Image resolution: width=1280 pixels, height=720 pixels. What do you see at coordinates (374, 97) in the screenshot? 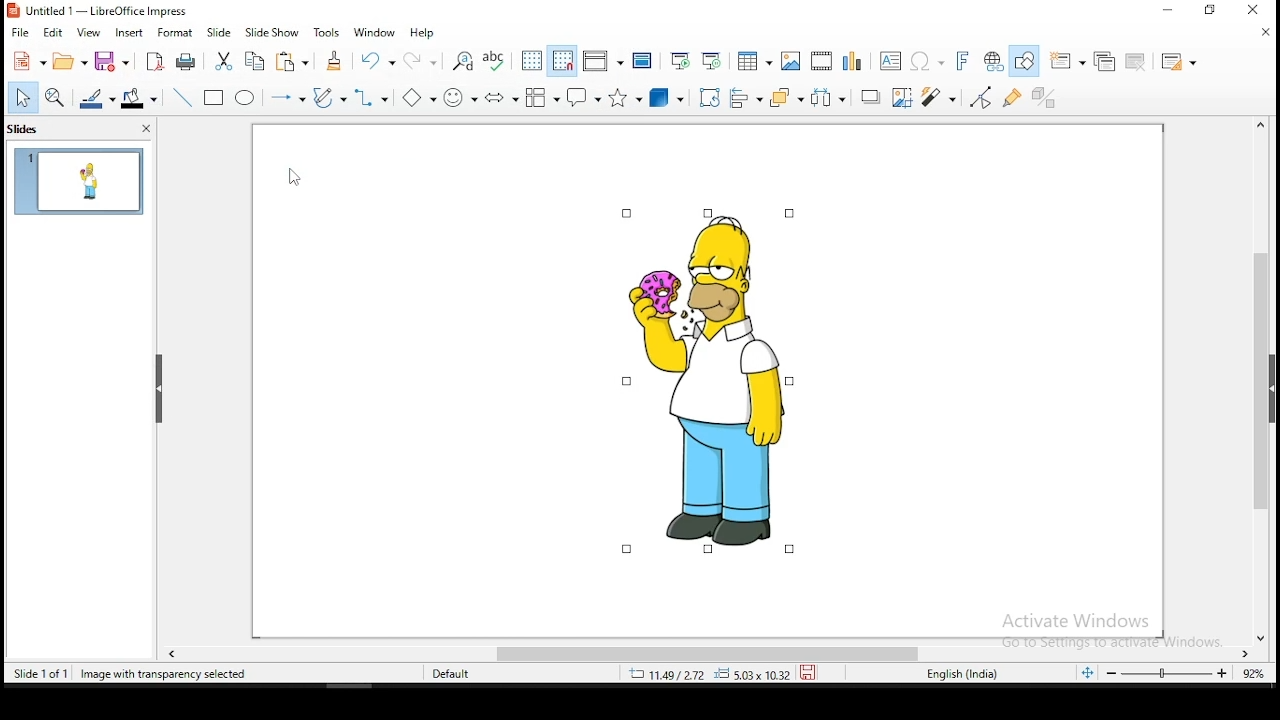
I see `connectors` at bounding box center [374, 97].